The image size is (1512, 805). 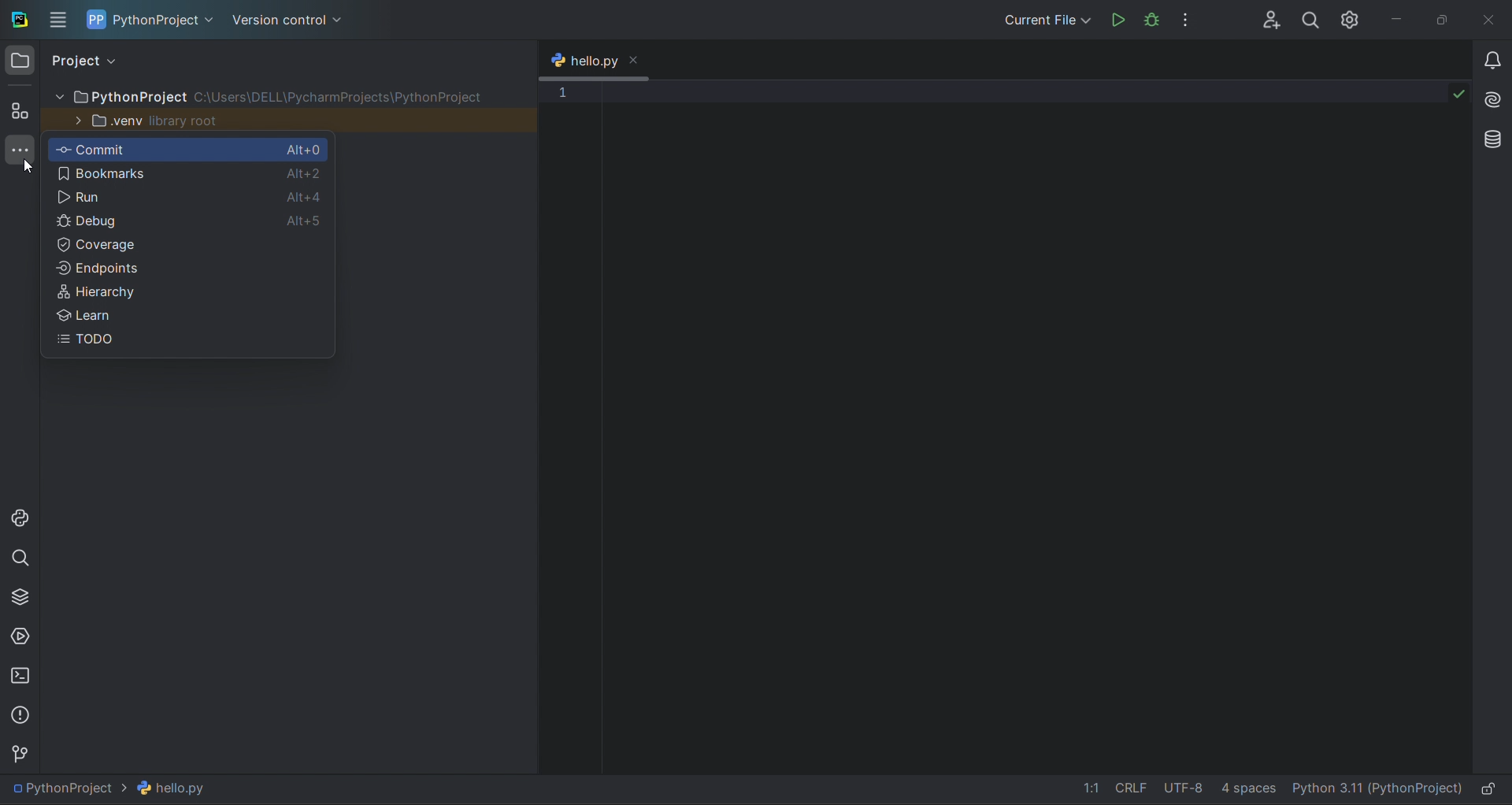 What do you see at coordinates (636, 61) in the screenshot?
I see `close file` at bounding box center [636, 61].